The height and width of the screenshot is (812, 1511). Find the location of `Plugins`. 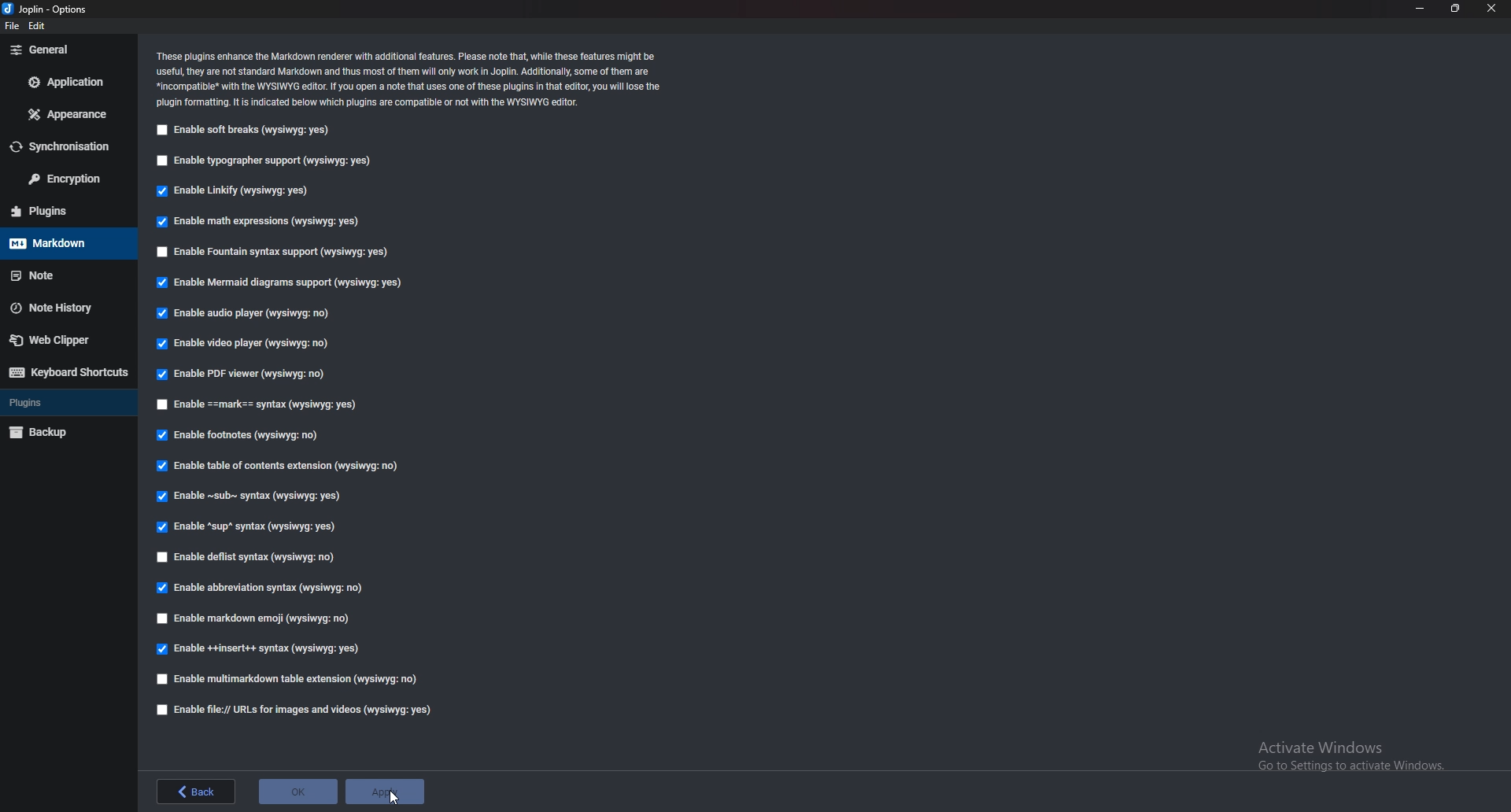

Plugins is located at coordinates (61, 212).